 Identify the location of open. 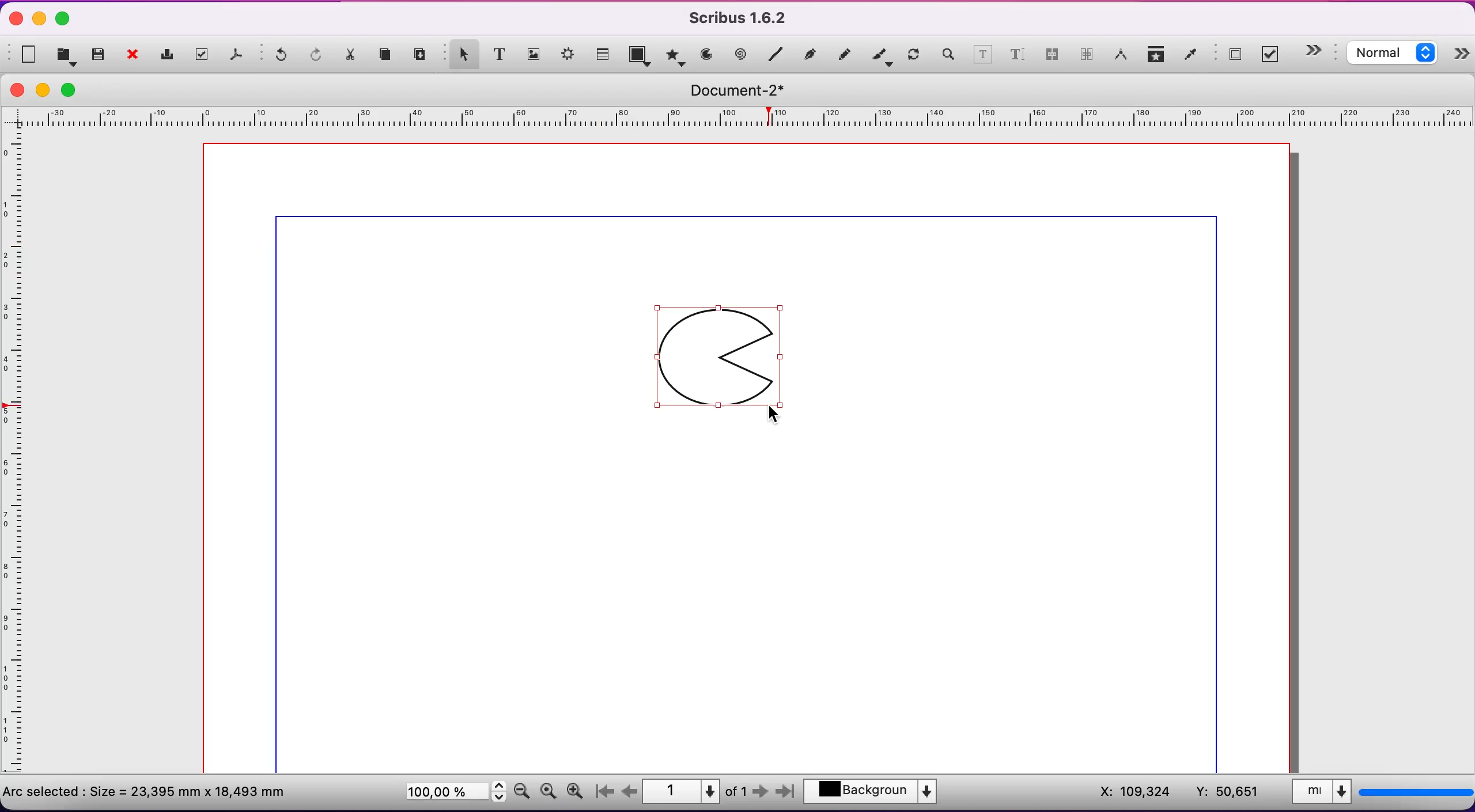
(68, 55).